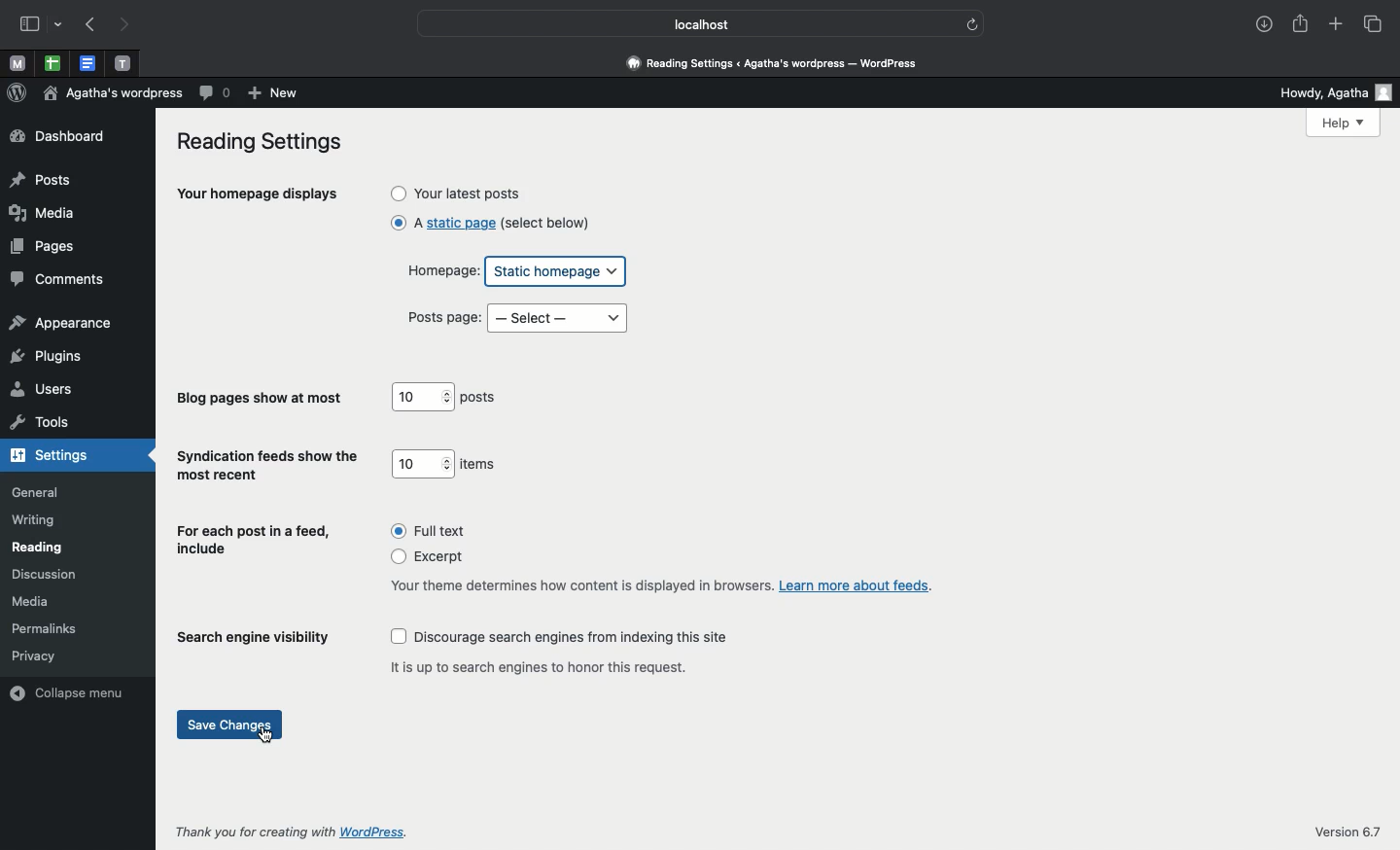 This screenshot has height=850, width=1400. What do you see at coordinates (44, 575) in the screenshot?
I see `discussion` at bounding box center [44, 575].